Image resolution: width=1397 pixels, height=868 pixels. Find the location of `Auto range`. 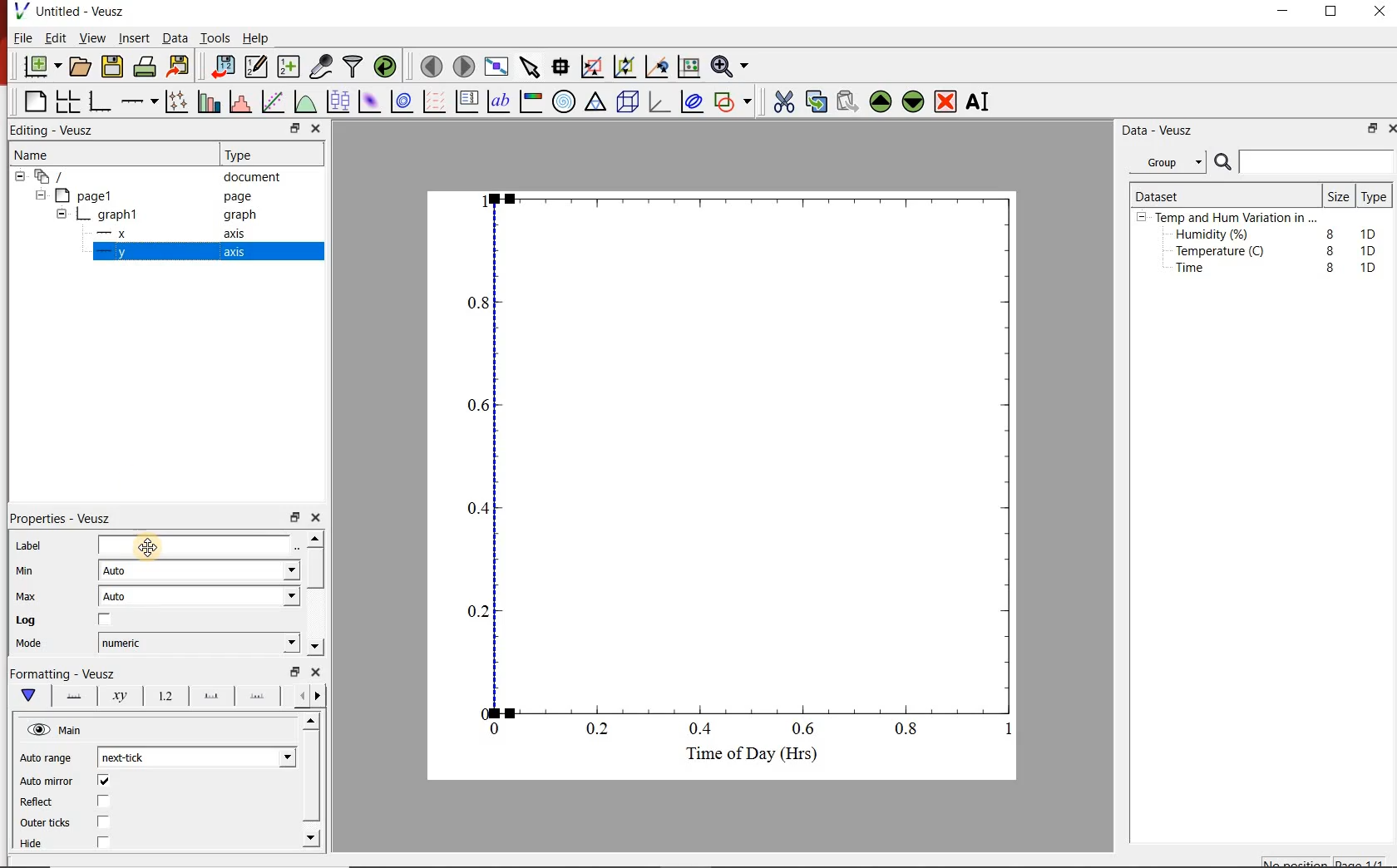

Auto range is located at coordinates (49, 759).